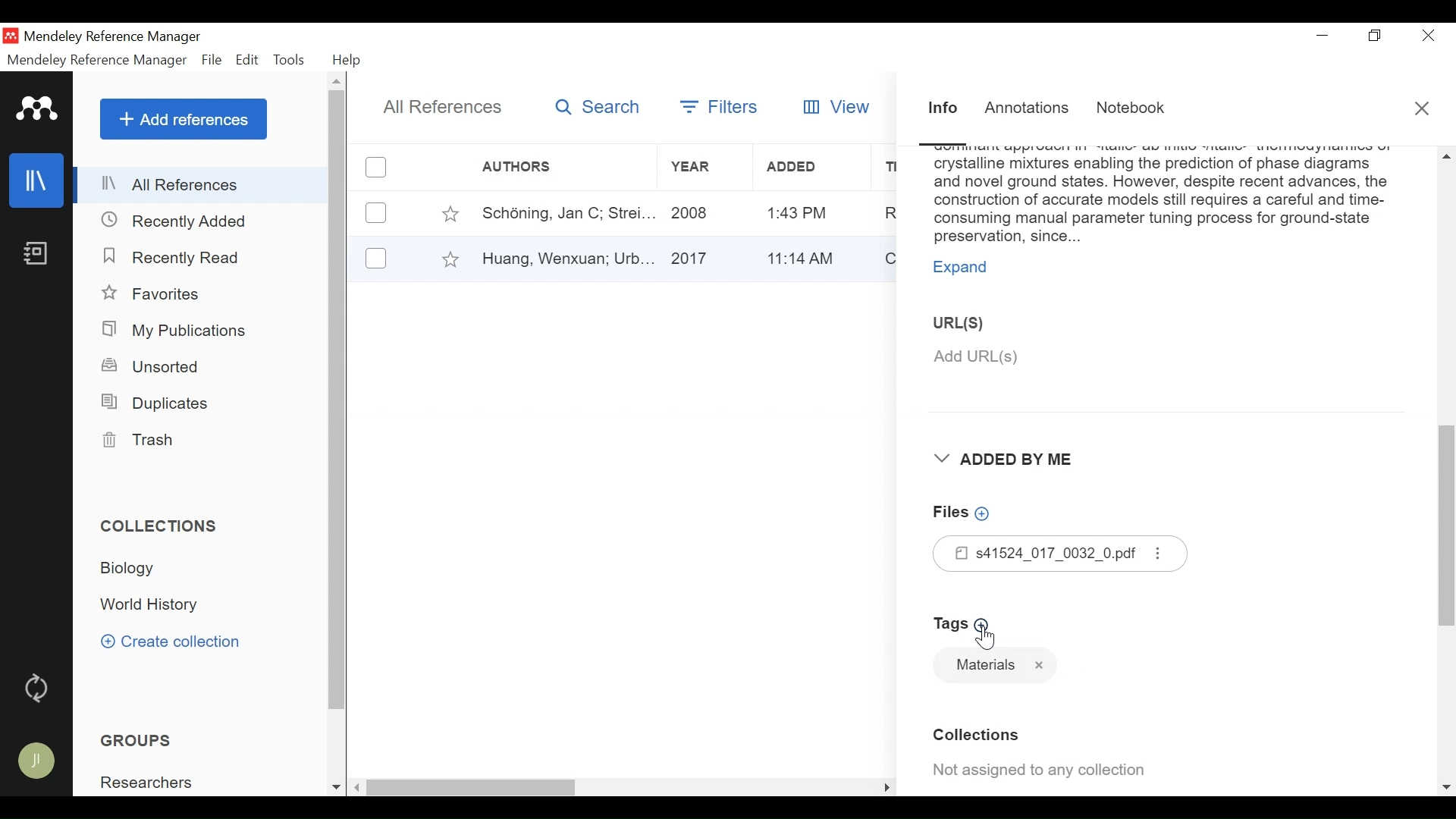  What do you see at coordinates (156, 294) in the screenshot?
I see `Favorites` at bounding box center [156, 294].